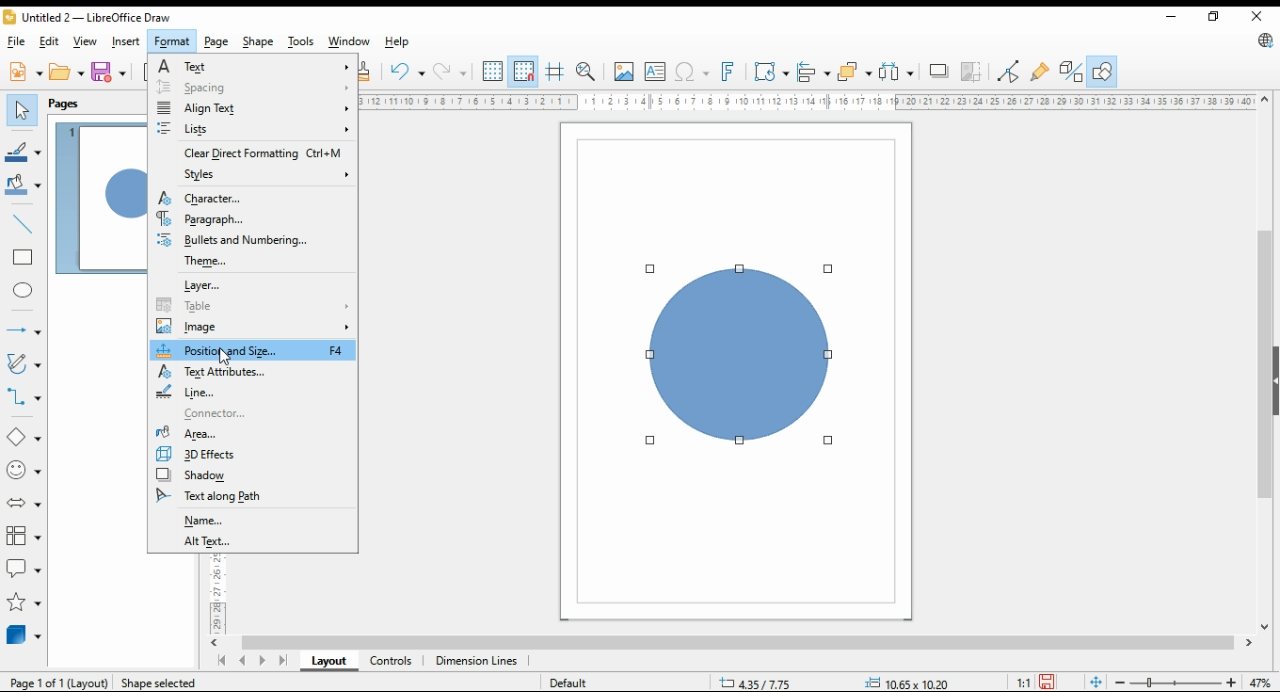 Image resolution: width=1280 pixels, height=692 pixels. What do you see at coordinates (390, 659) in the screenshot?
I see `controls` at bounding box center [390, 659].